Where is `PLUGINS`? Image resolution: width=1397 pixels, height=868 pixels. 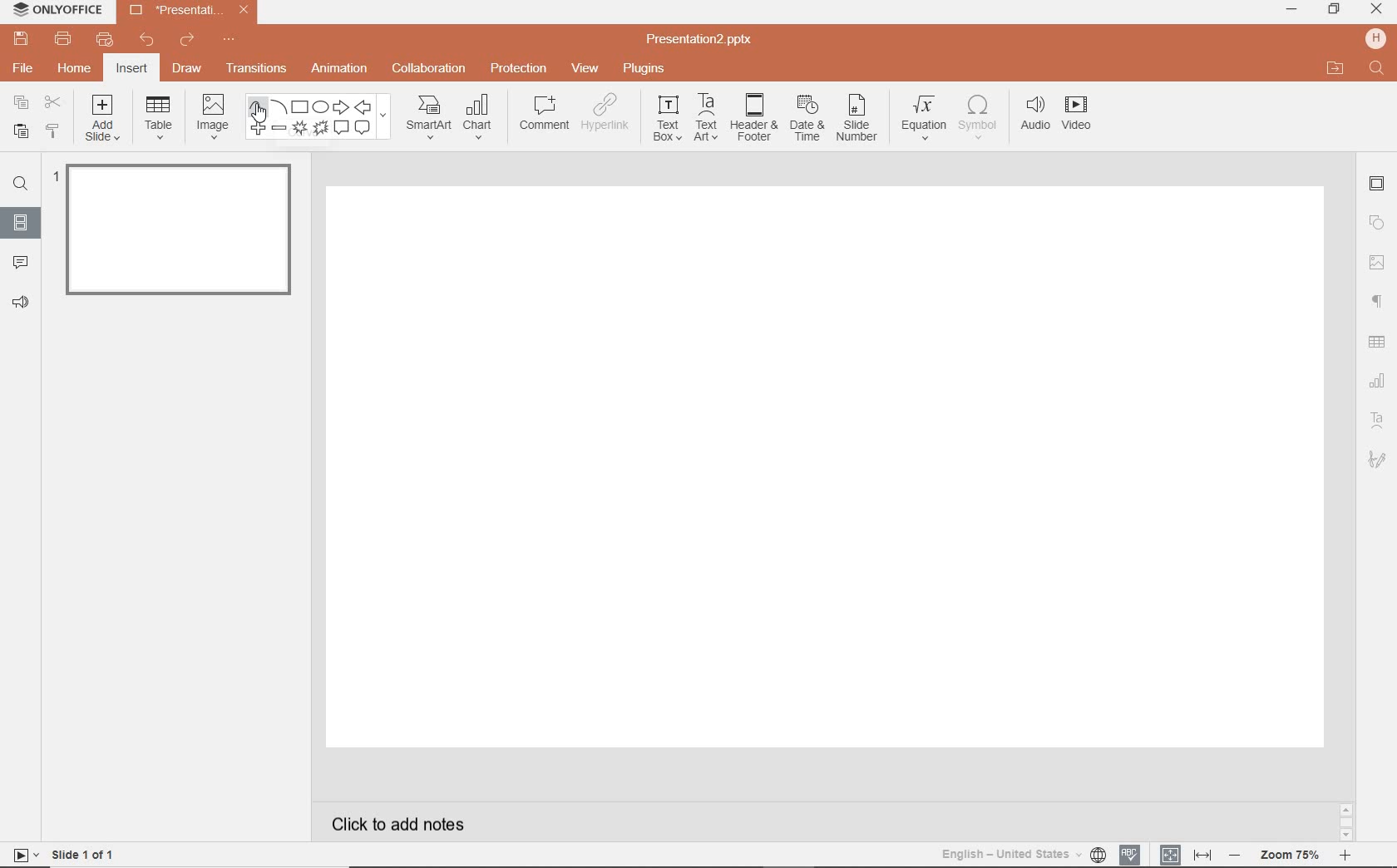 PLUGINS is located at coordinates (644, 69).